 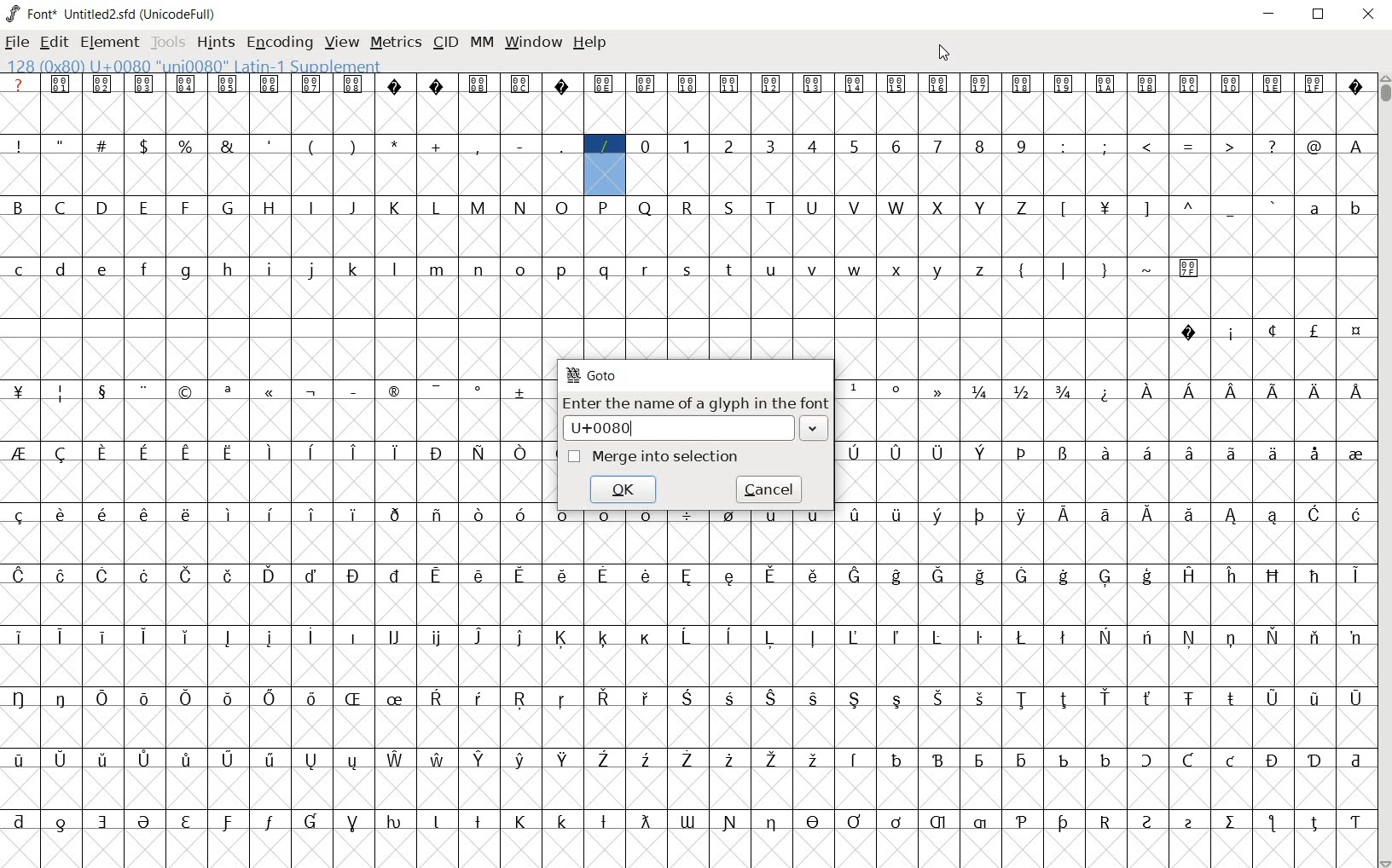 What do you see at coordinates (1024, 453) in the screenshot?
I see `glyph` at bounding box center [1024, 453].